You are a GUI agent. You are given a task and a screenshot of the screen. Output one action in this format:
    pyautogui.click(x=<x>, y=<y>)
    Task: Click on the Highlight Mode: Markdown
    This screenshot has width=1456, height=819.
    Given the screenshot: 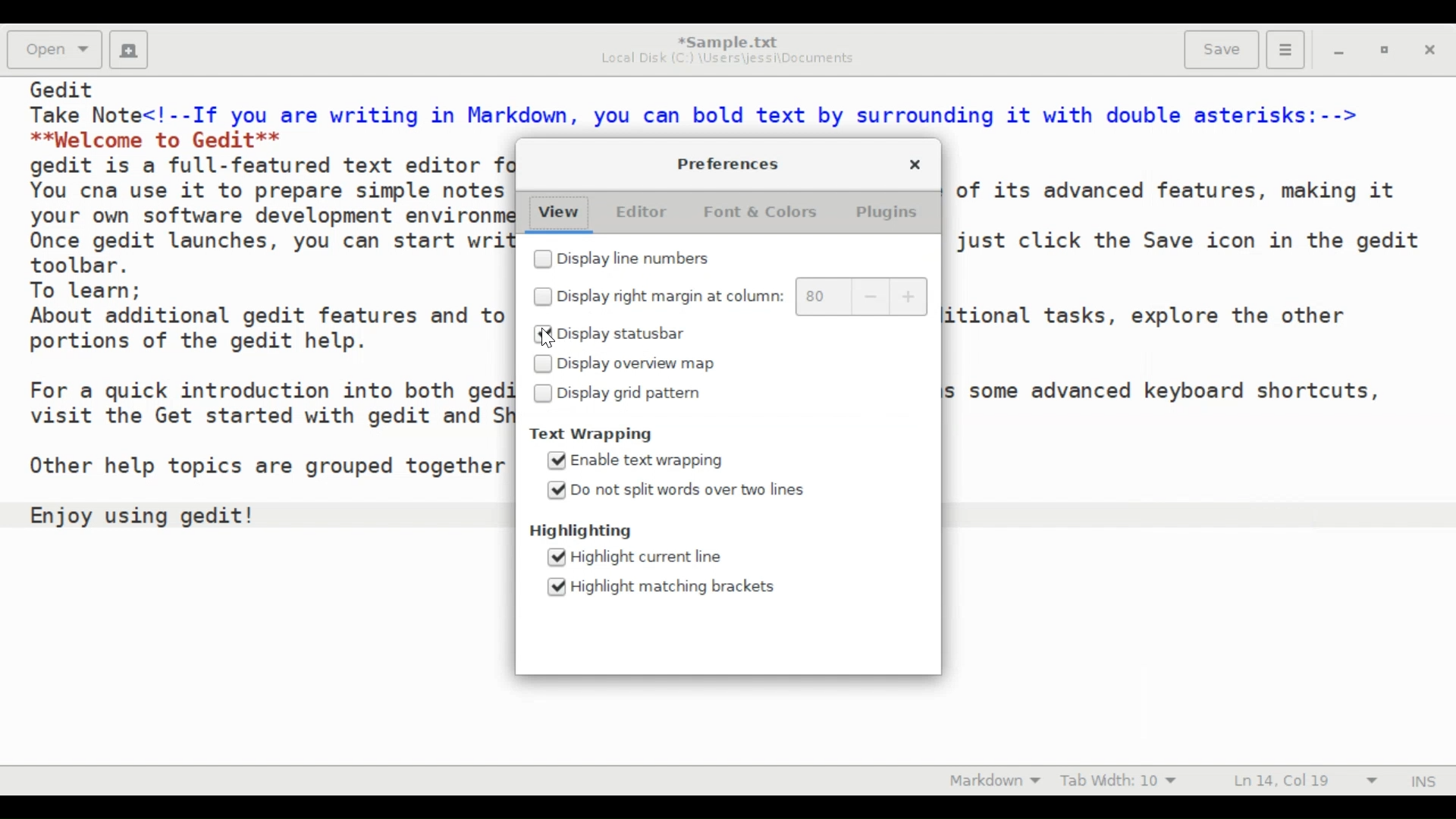 What is the action you would take?
    pyautogui.click(x=989, y=780)
    